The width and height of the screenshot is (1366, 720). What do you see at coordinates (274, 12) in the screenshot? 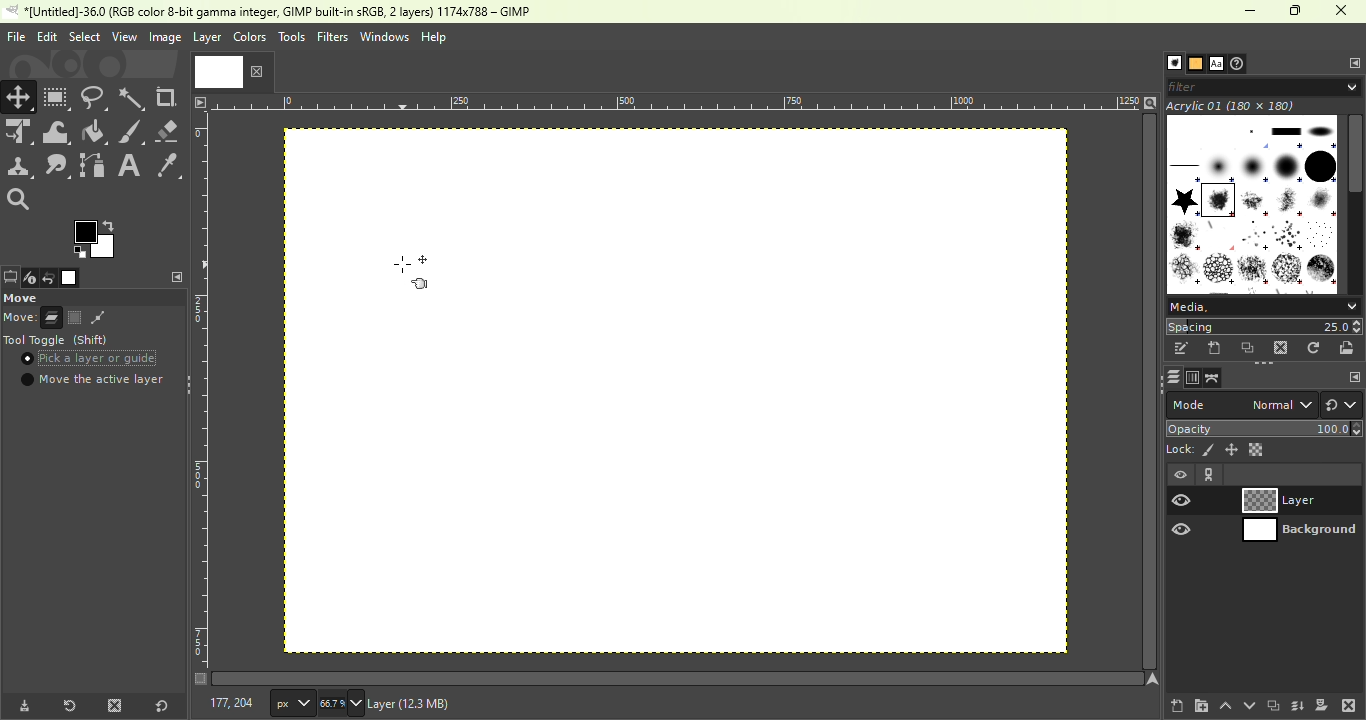
I see `untitled -36.0 (rgb color 8-bit gamma integer , gimp built in stgb, 1 layer) 1174x788 - gimp` at bounding box center [274, 12].